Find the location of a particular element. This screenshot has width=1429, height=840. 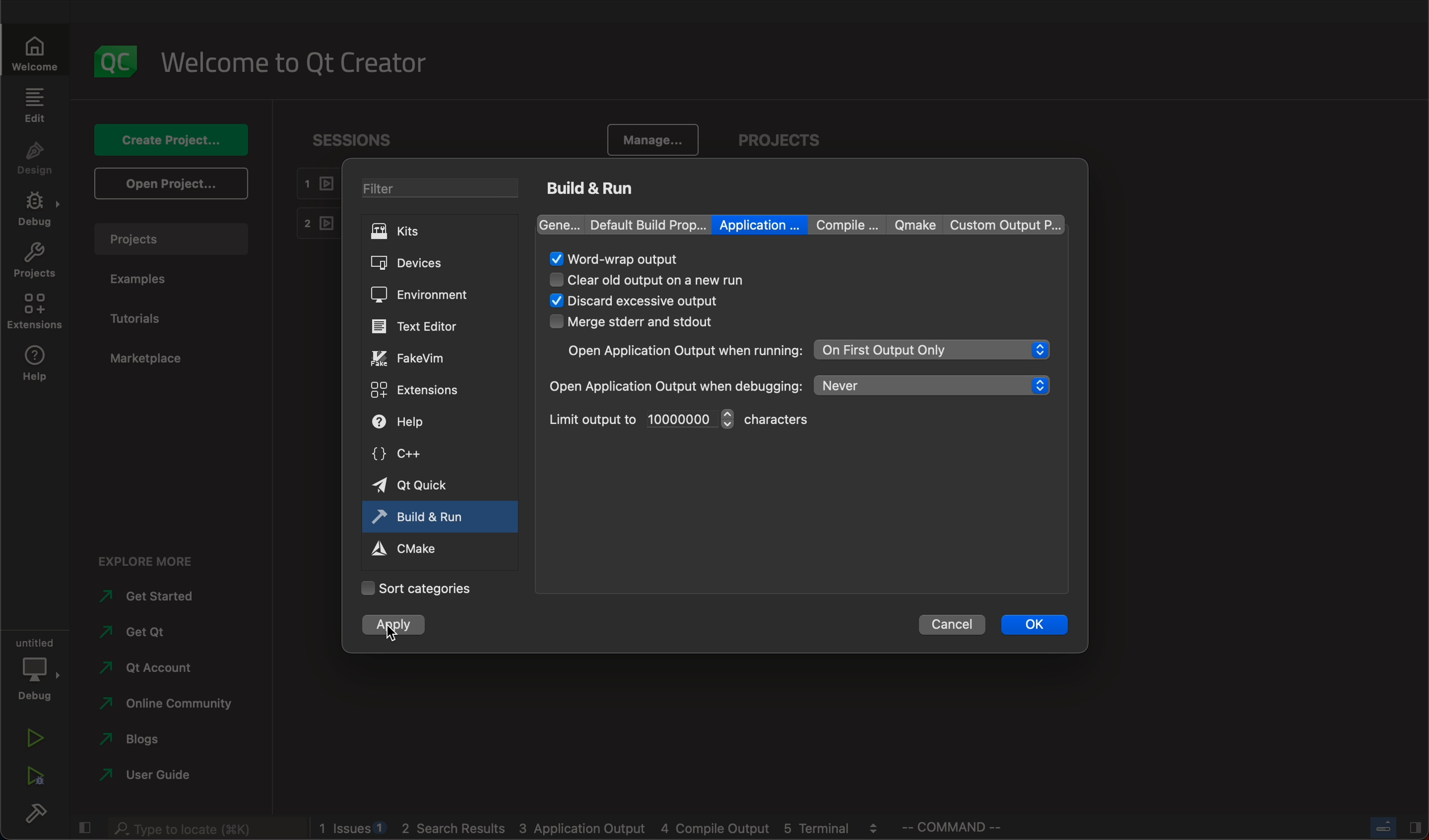

ok is located at coordinates (1033, 624).